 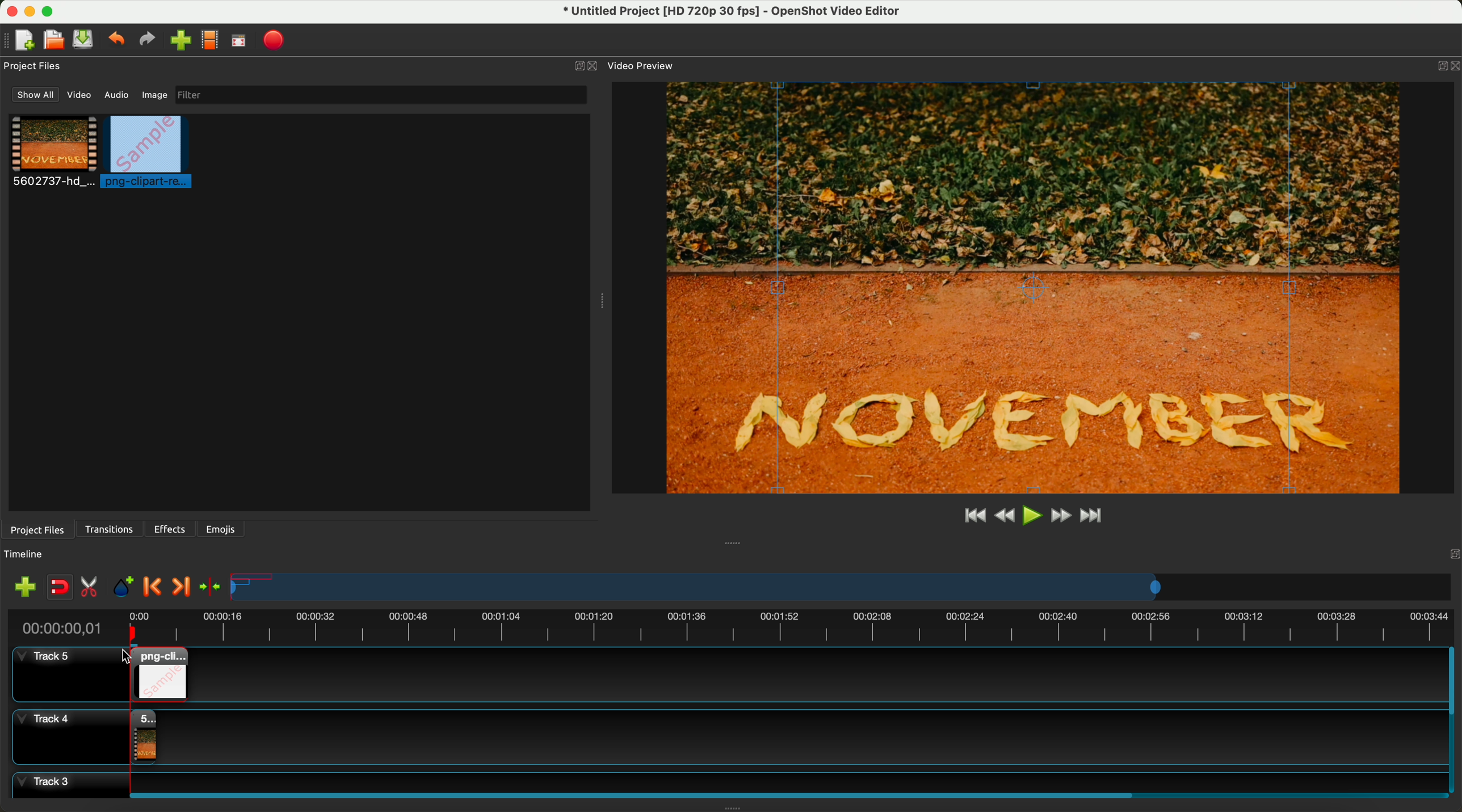 What do you see at coordinates (21, 40) in the screenshot?
I see `new file` at bounding box center [21, 40].